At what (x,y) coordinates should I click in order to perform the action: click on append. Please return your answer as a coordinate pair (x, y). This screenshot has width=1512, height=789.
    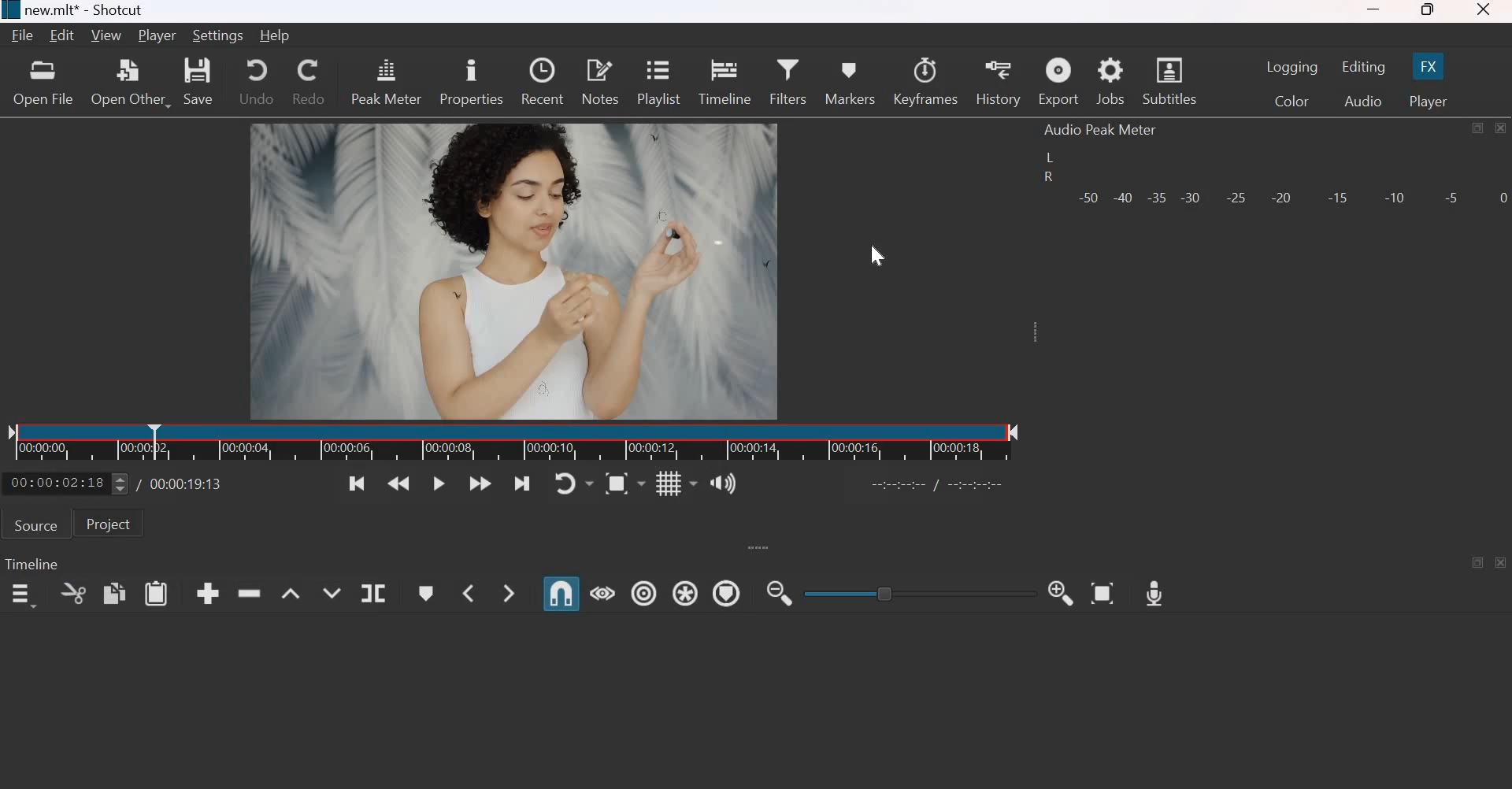
    Looking at the image, I should click on (208, 595).